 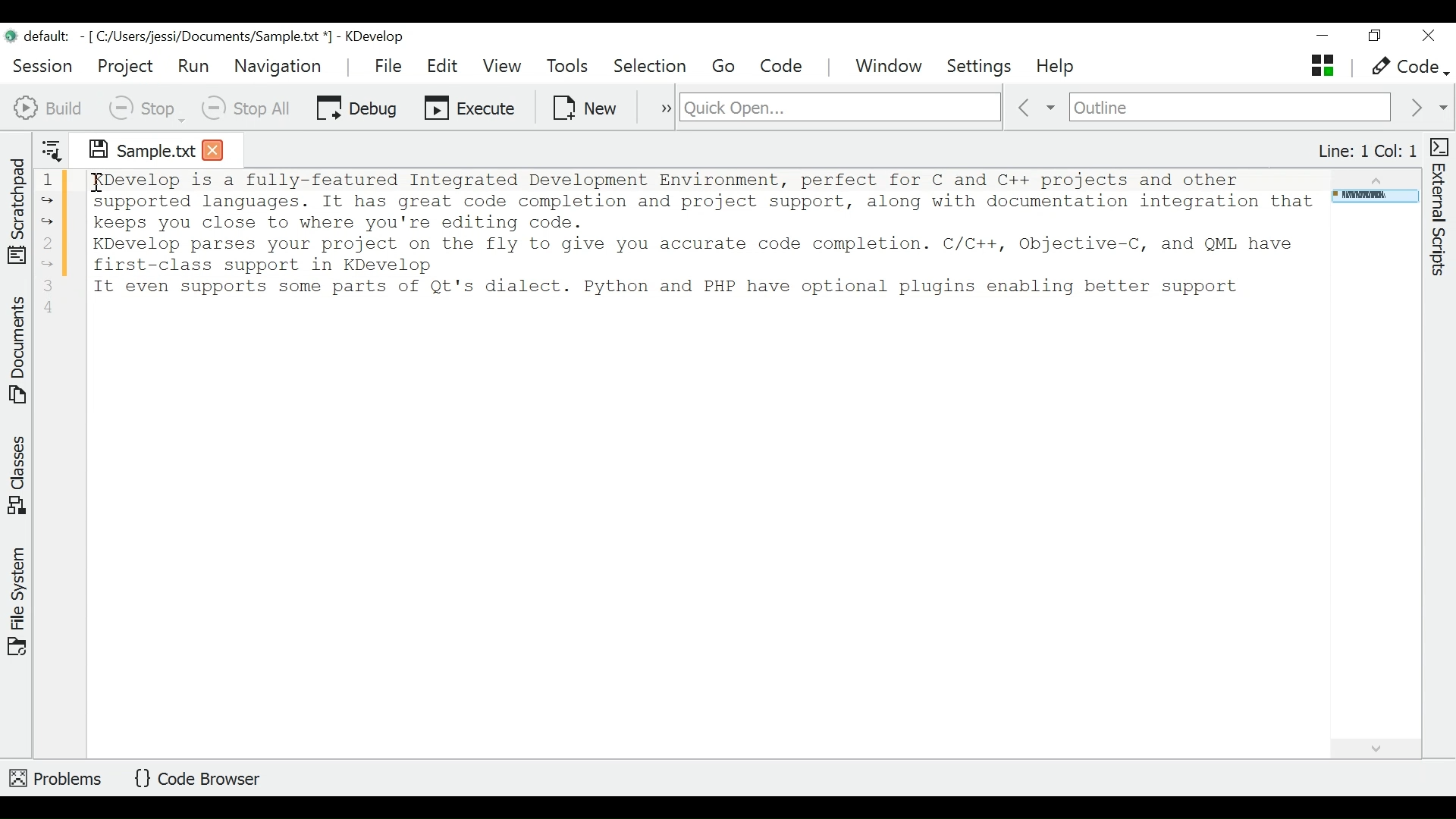 What do you see at coordinates (1357, 151) in the screenshot?
I see `Line: 1 Col: 1` at bounding box center [1357, 151].